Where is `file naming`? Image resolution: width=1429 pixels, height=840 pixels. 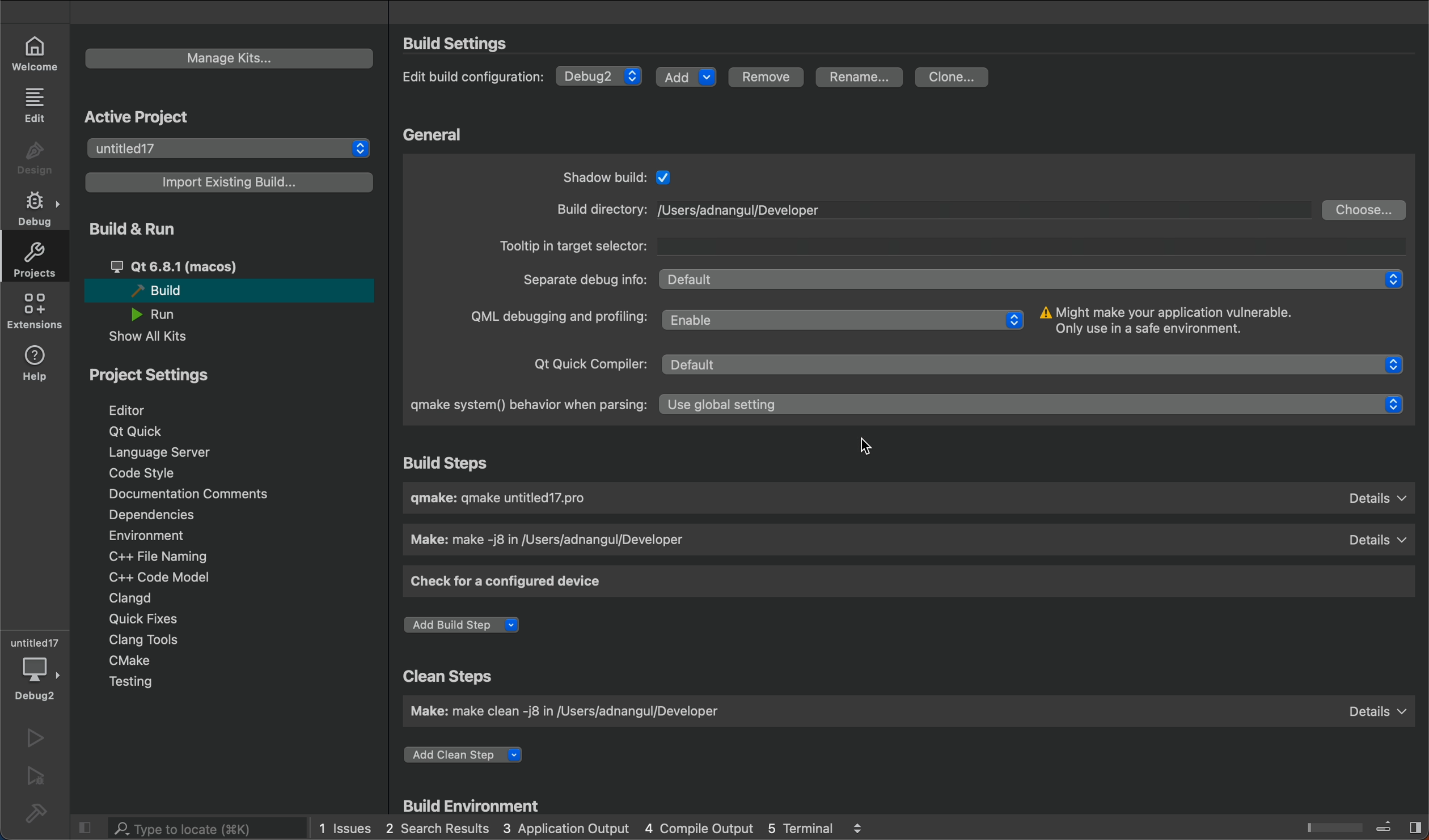 file naming is located at coordinates (162, 554).